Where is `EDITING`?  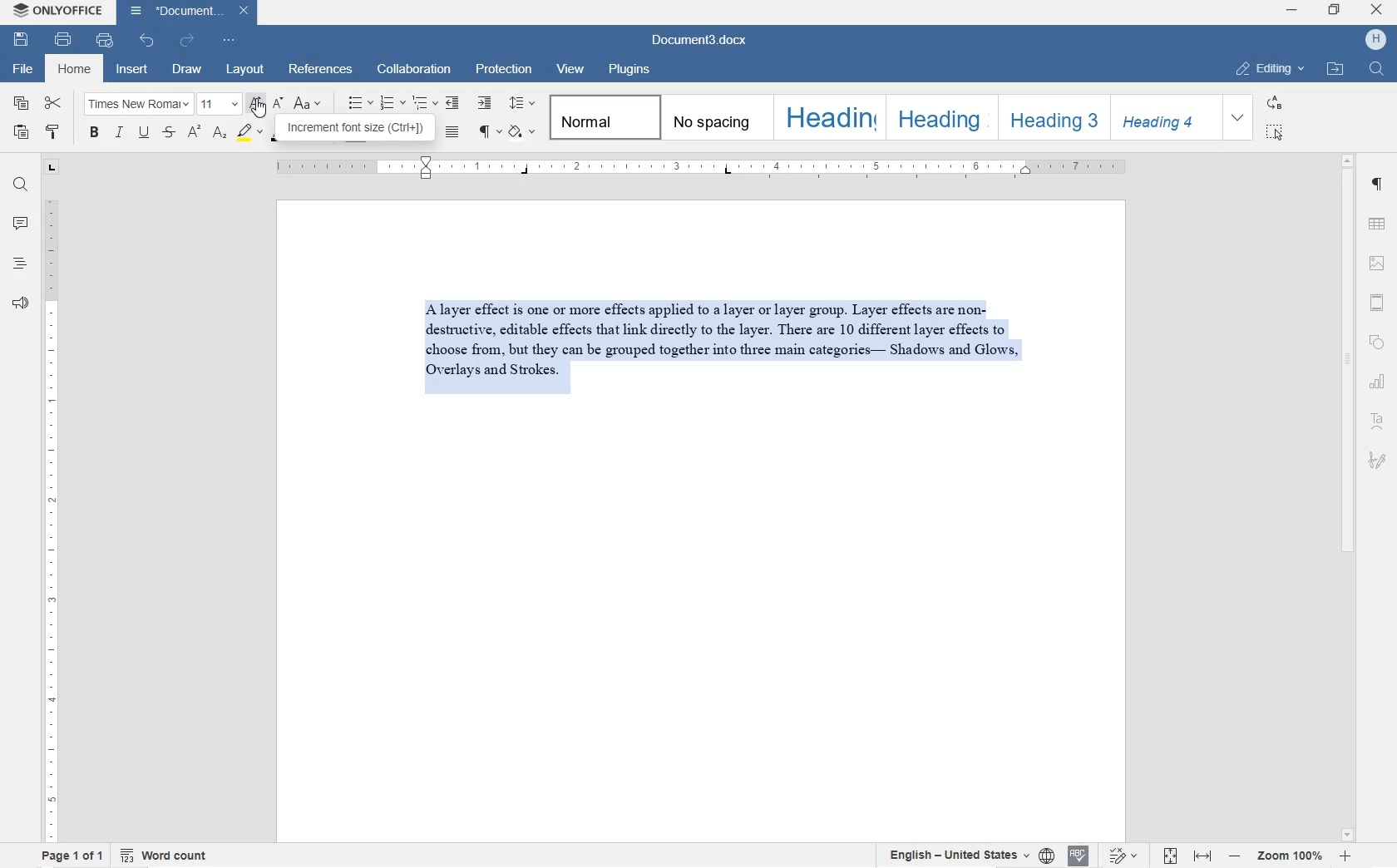 EDITING is located at coordinates (1273, 69).